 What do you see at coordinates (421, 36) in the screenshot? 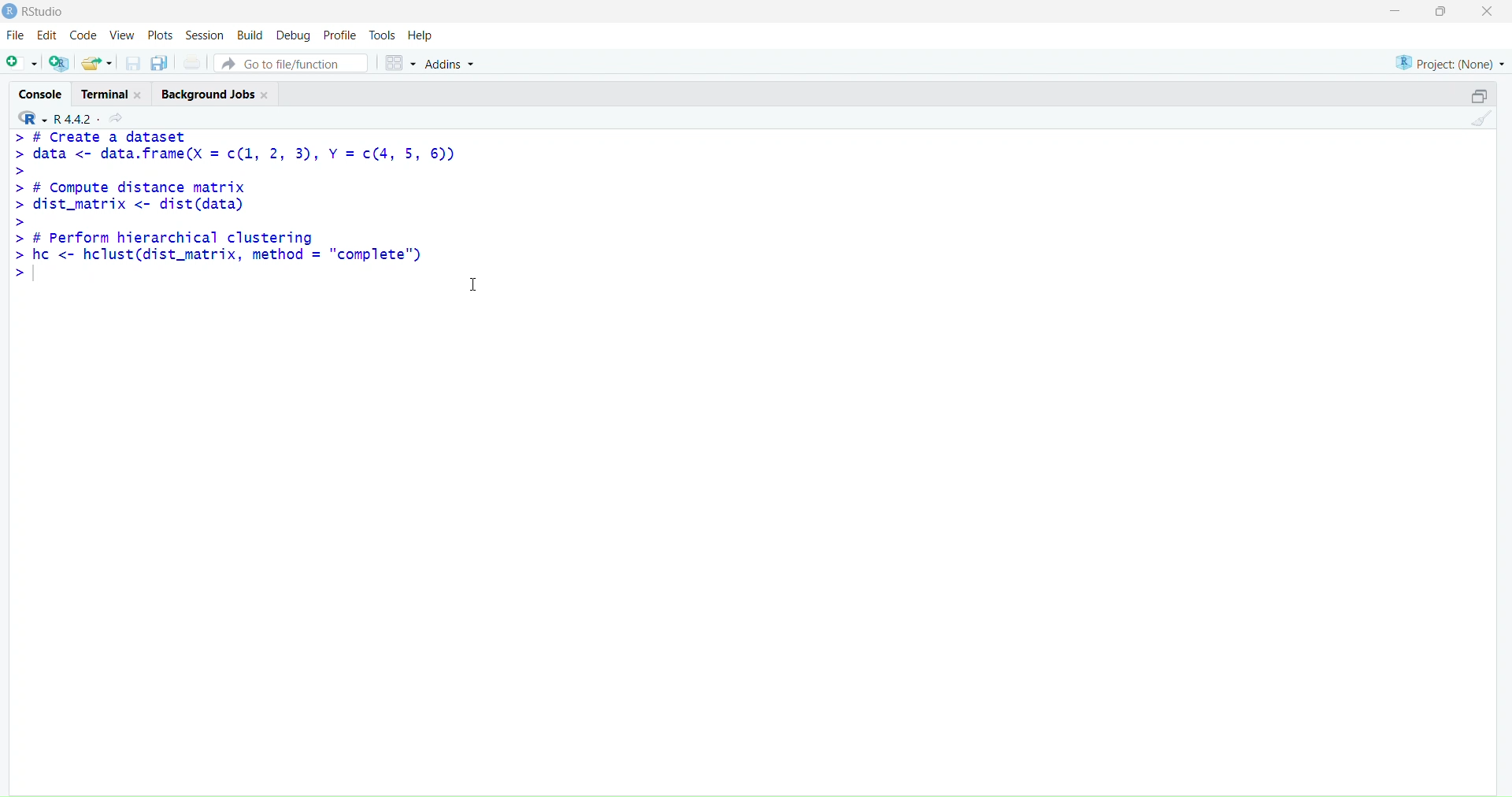
I see `Help` at bounding box center [421, 36].